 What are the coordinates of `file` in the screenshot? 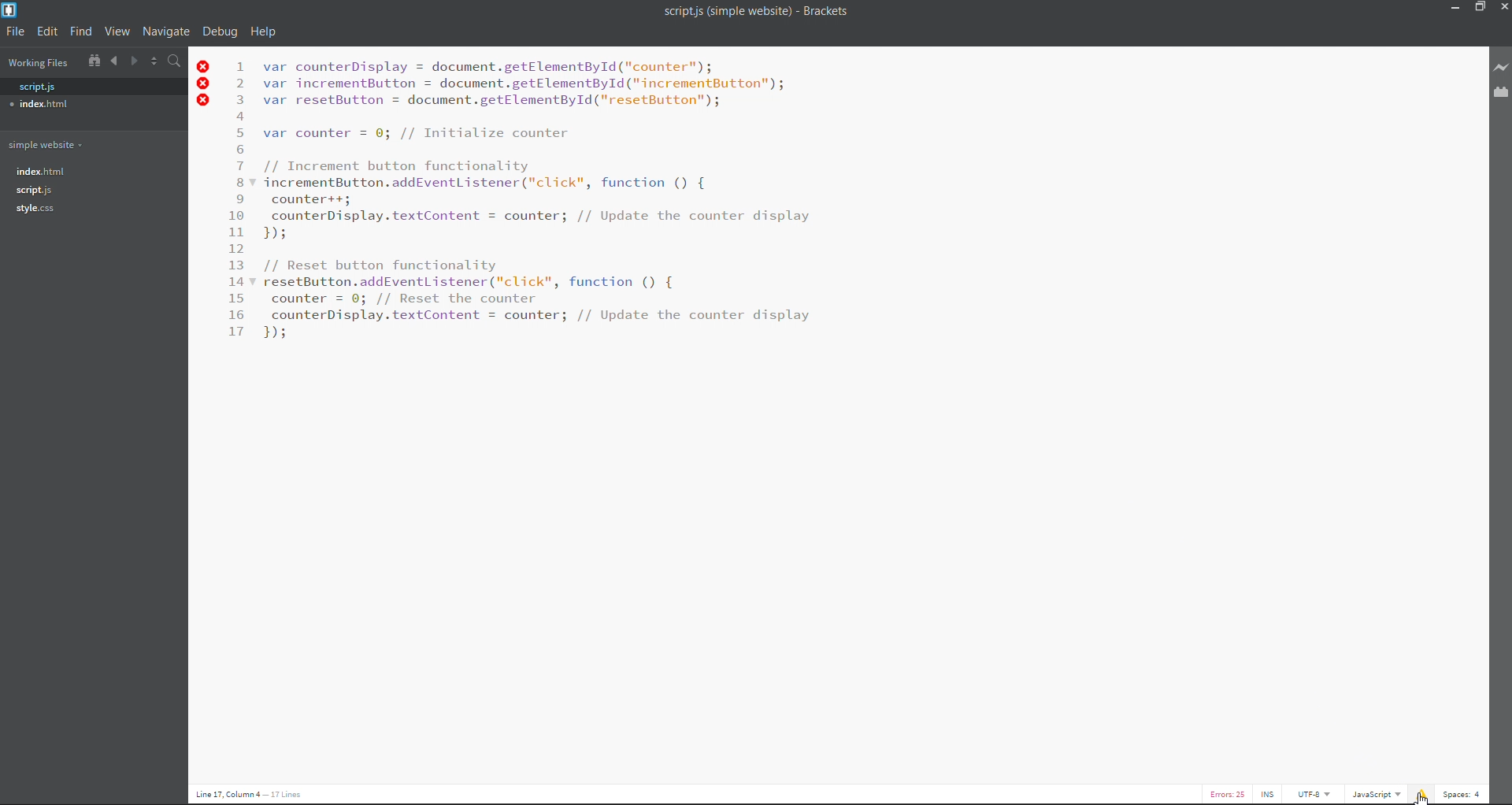 It's located at (13, 35).